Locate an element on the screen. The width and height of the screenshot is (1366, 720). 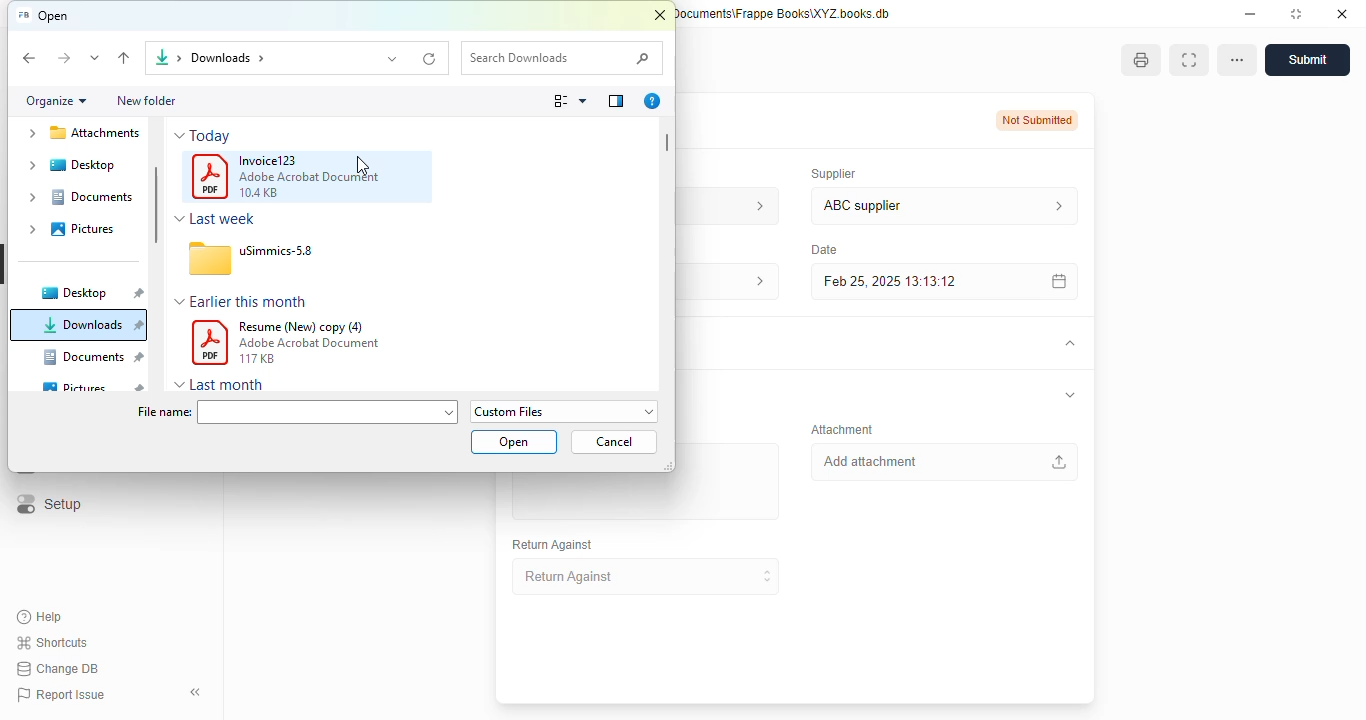
open print view is located at coordinates (1141, 60).